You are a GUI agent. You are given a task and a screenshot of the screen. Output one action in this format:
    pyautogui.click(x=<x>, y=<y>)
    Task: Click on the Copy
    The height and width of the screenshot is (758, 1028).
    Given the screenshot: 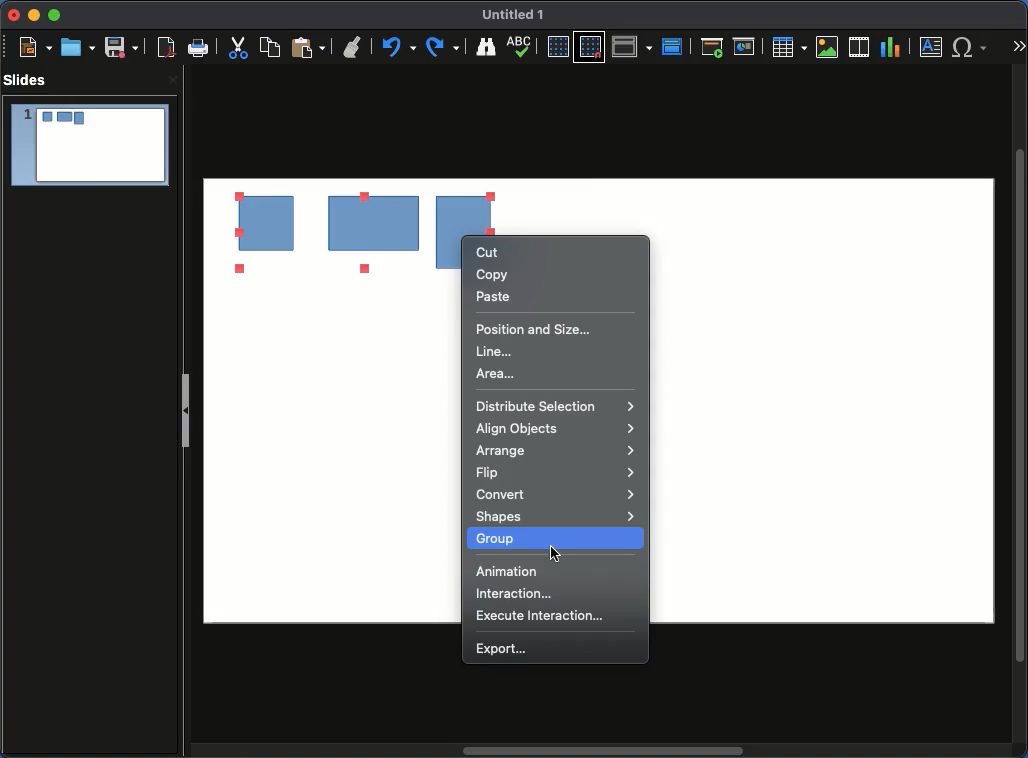 What is the action you would take?
    pyautogui.click(x=273, y=47)
    